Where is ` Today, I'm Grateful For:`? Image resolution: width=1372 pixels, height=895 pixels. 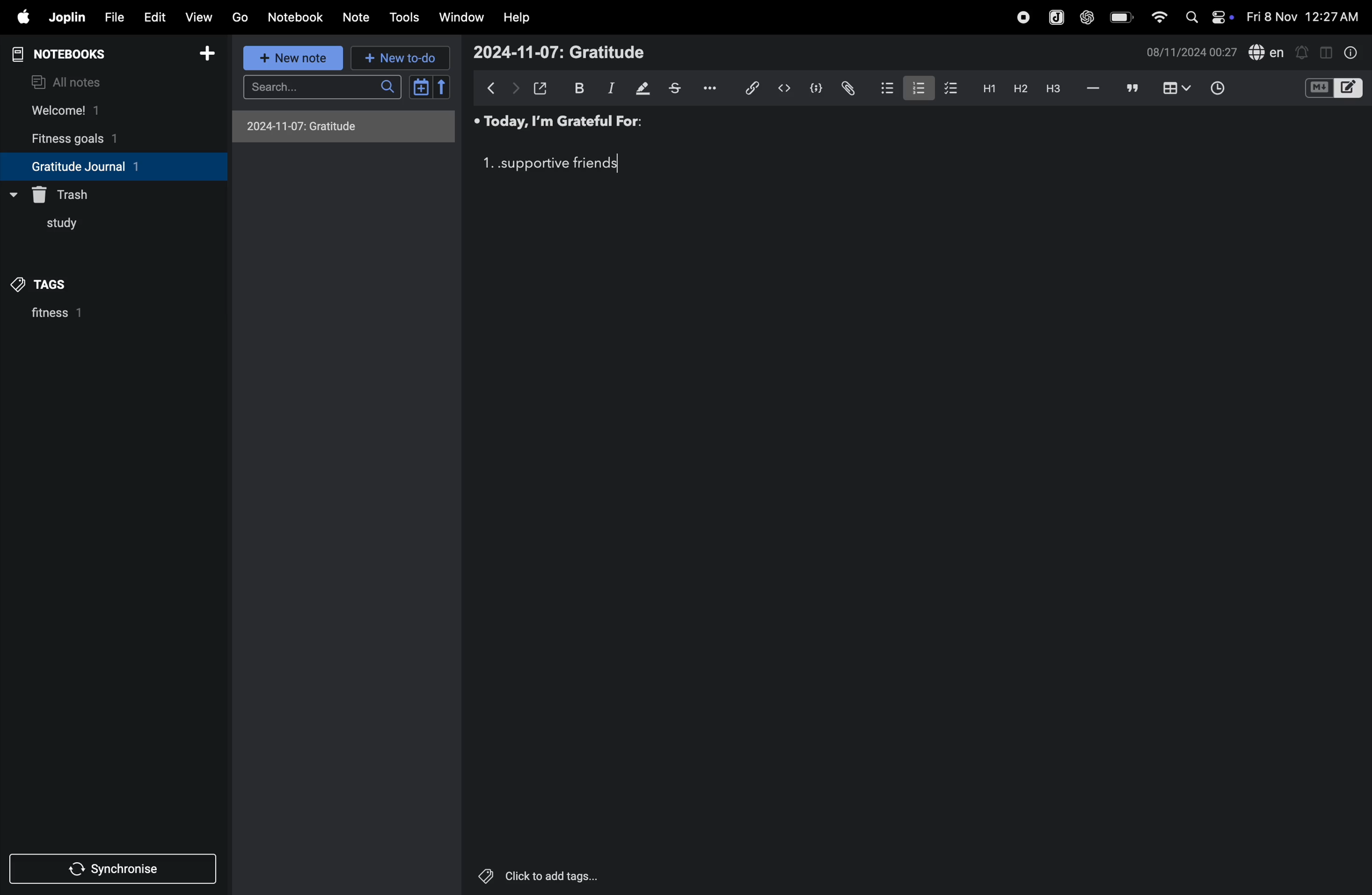  Today, I'm Grateful For: is located at coordinates (560, 123).